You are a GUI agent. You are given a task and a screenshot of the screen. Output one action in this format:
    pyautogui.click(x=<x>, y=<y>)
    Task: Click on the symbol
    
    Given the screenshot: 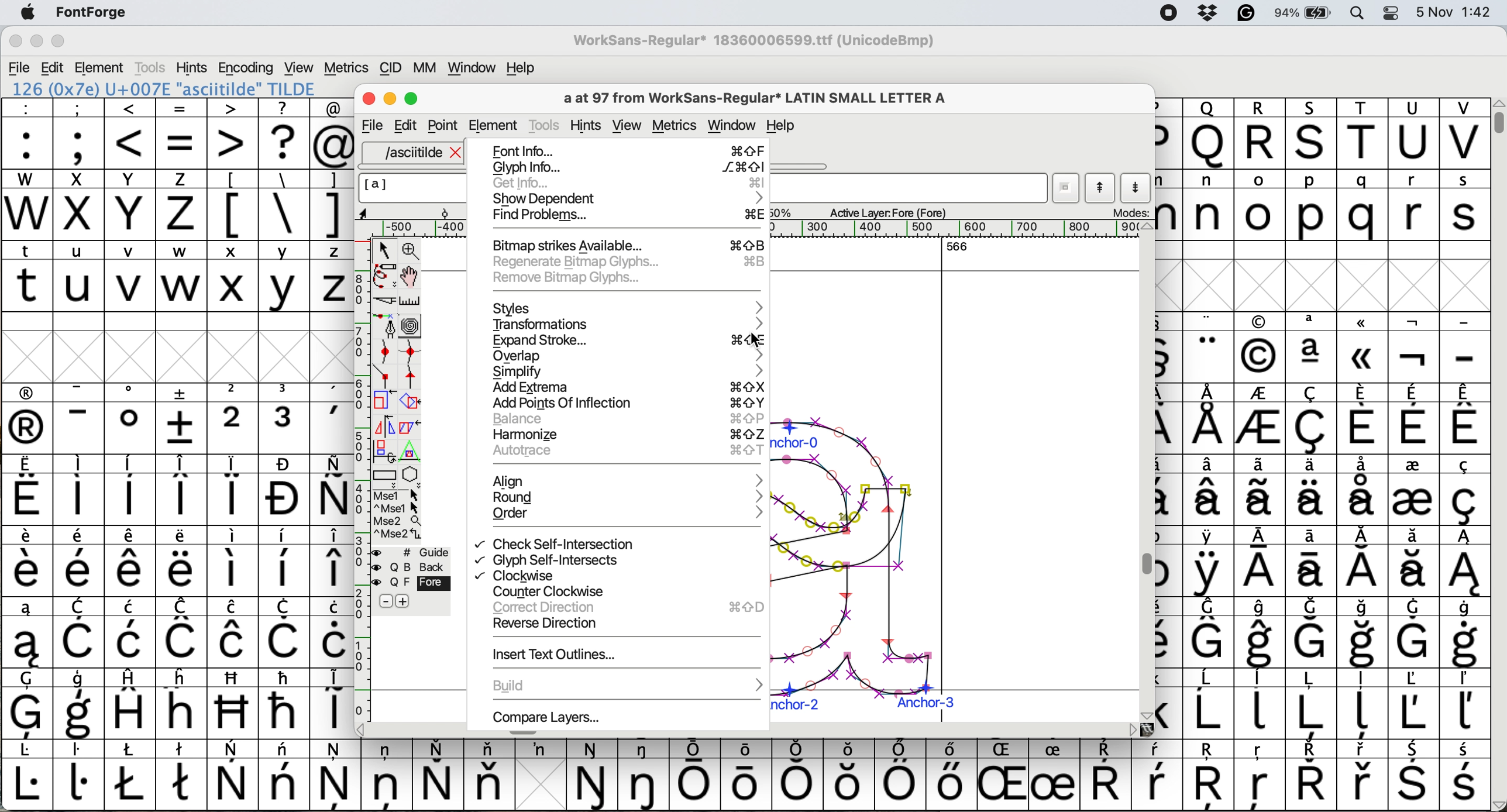 What is the action you would take?
    pyautogui.click(x=27, y=562)
    